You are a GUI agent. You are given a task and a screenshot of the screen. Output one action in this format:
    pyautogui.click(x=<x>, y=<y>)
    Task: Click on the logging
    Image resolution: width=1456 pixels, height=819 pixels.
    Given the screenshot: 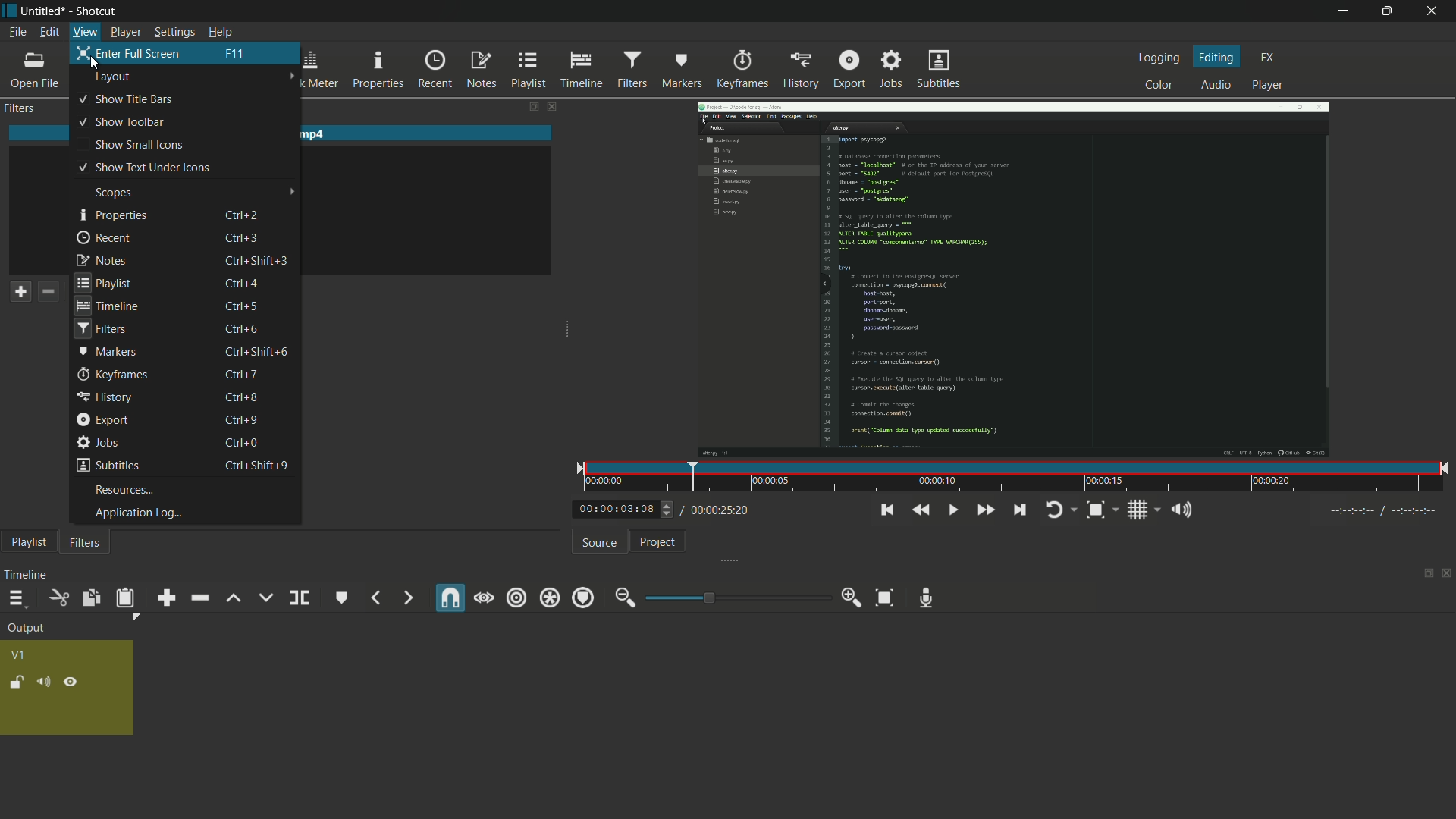 What is the action you would take?
    pyautogui.click(x=1158, y=59)
    